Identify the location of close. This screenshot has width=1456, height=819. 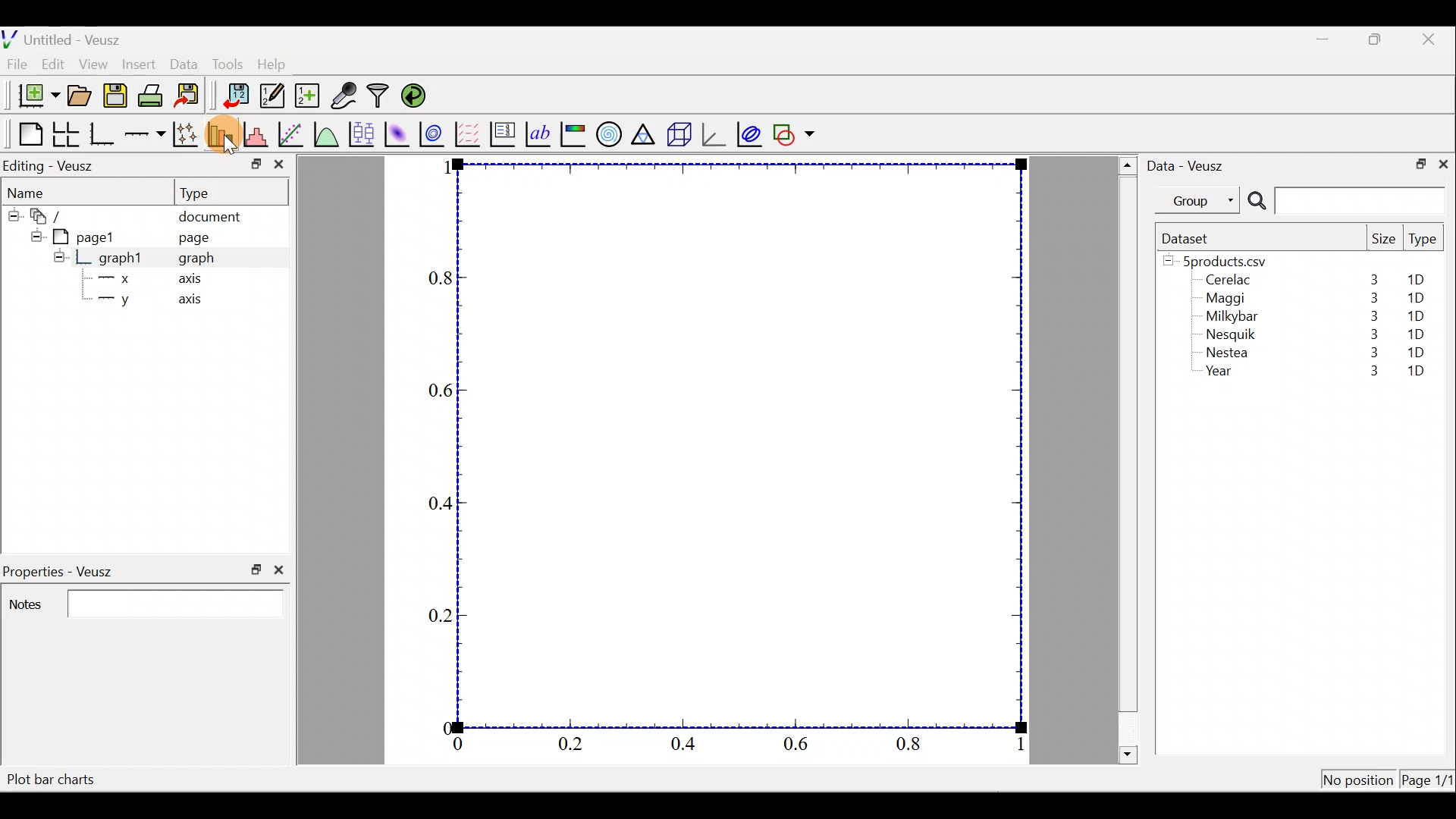
(1443, 163).